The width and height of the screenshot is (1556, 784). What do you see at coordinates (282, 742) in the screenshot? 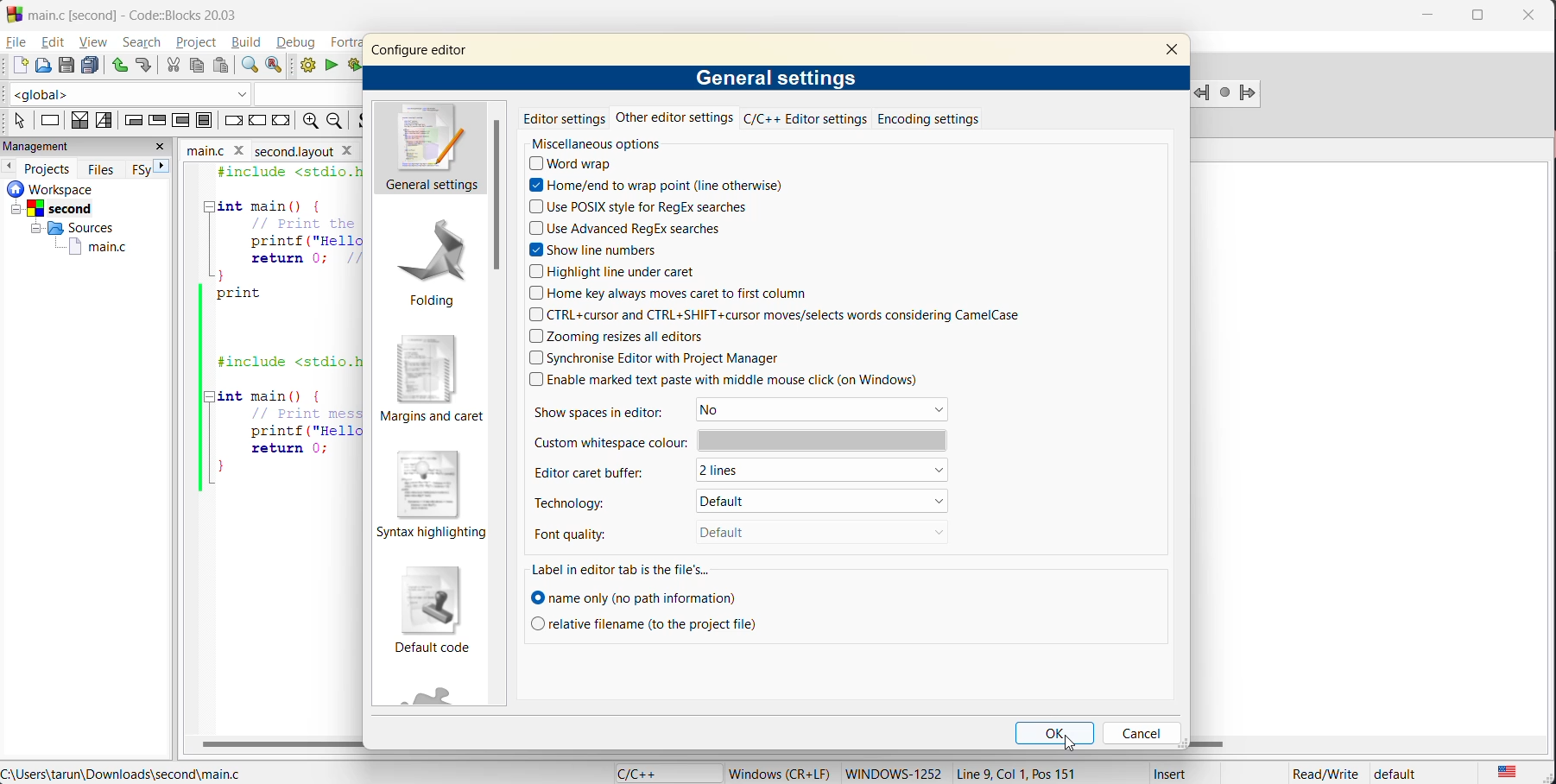
I see `horizontal scroll bar` at bounding box center [282, 742].